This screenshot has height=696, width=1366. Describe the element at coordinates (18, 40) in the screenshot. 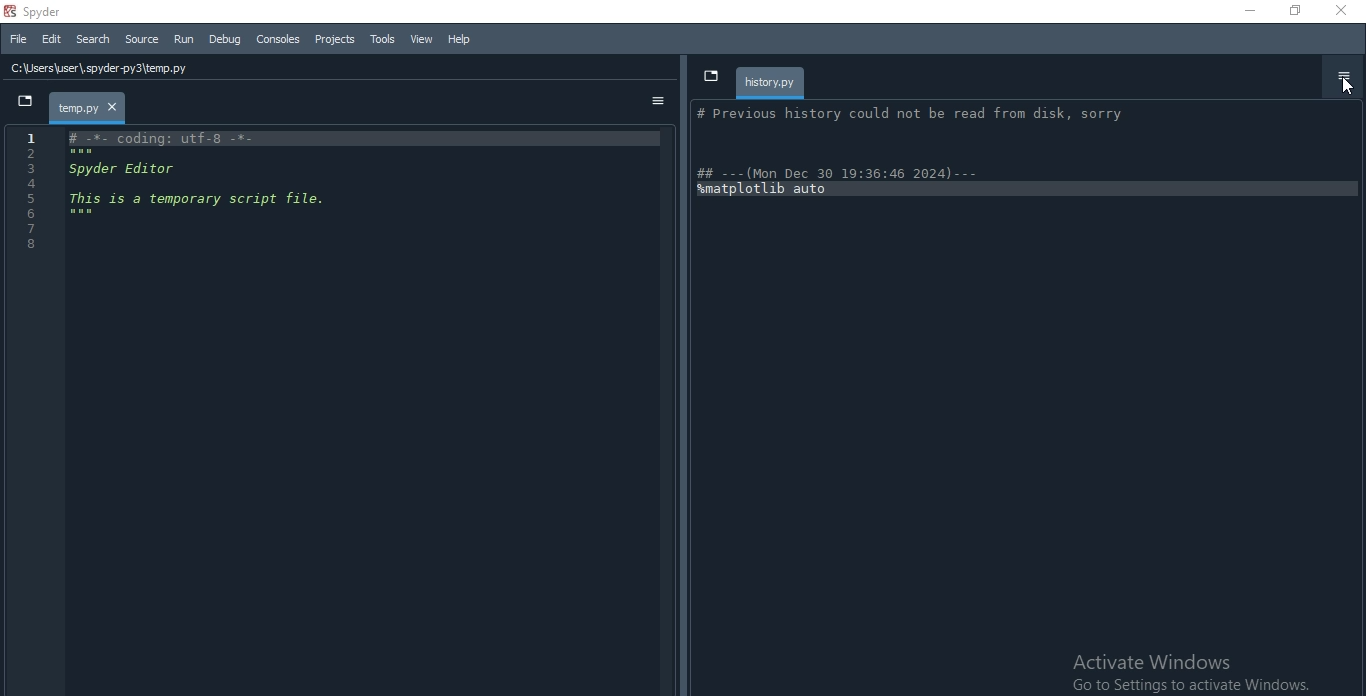

I see `File ` at that location.